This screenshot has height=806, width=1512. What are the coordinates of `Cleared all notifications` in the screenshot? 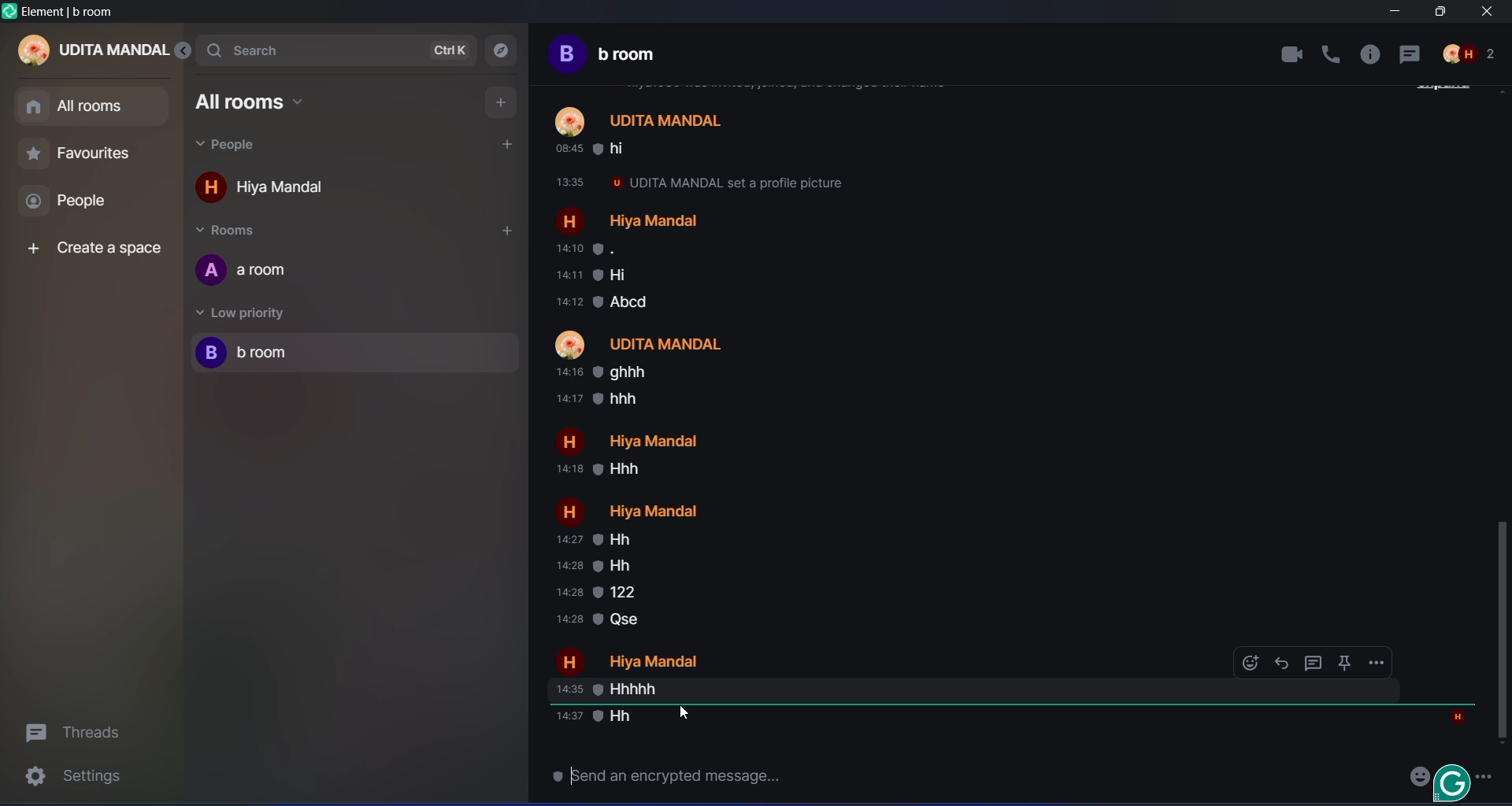 It's located at (71, 13).